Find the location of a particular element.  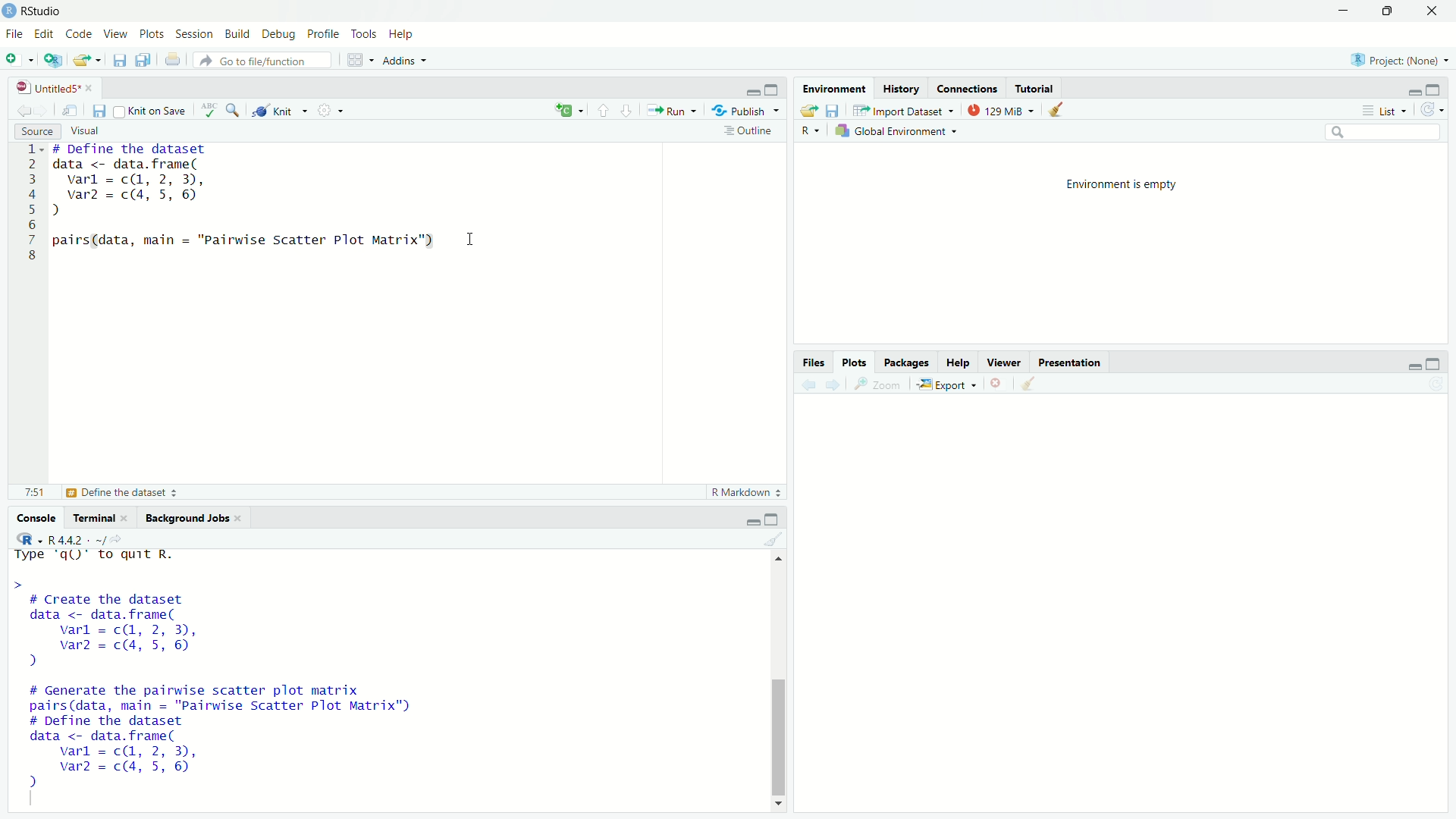

R Markdown is located at coordinates (746, 493).